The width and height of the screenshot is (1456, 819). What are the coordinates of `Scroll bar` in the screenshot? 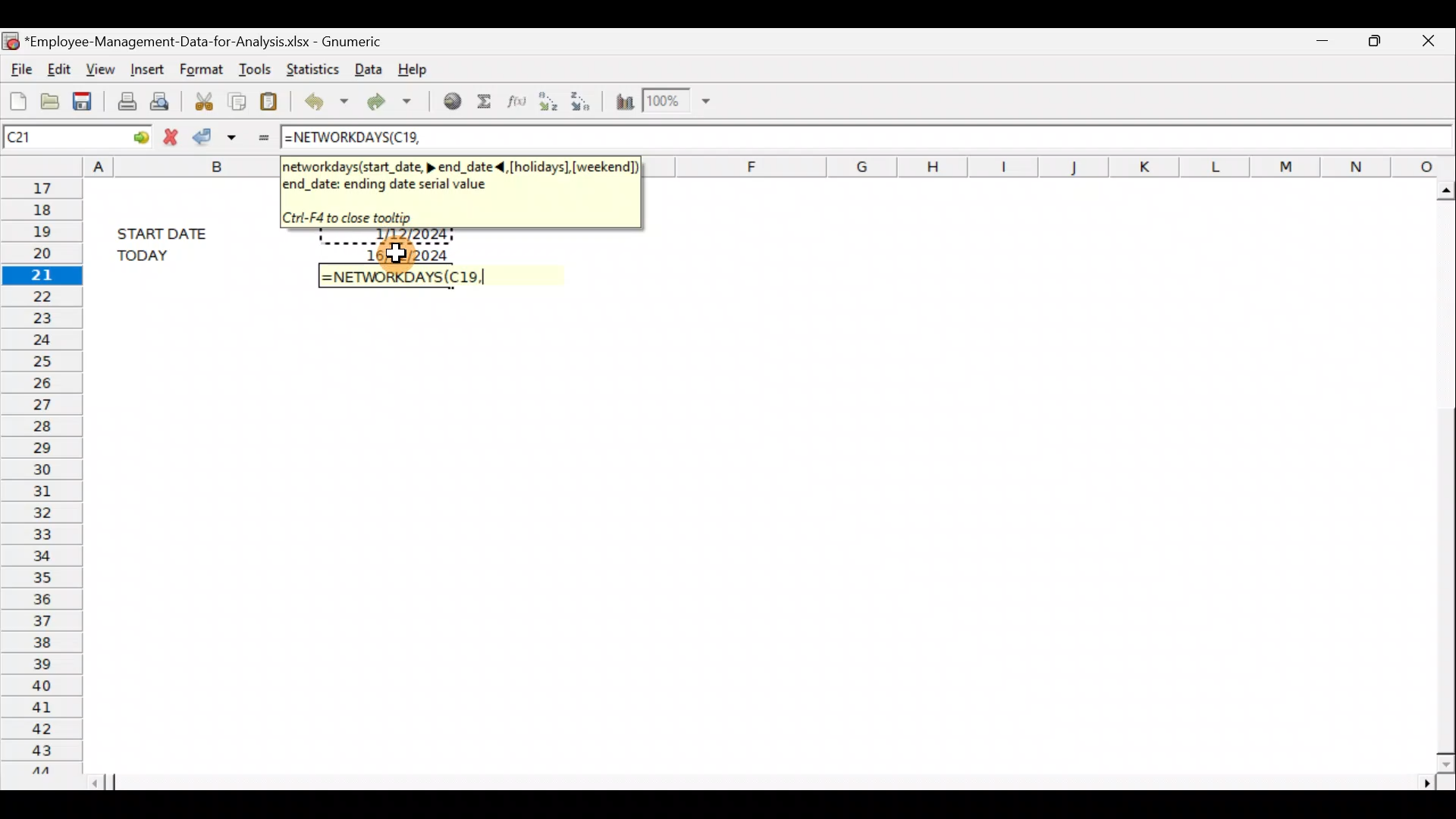 It's located at (767, 782).